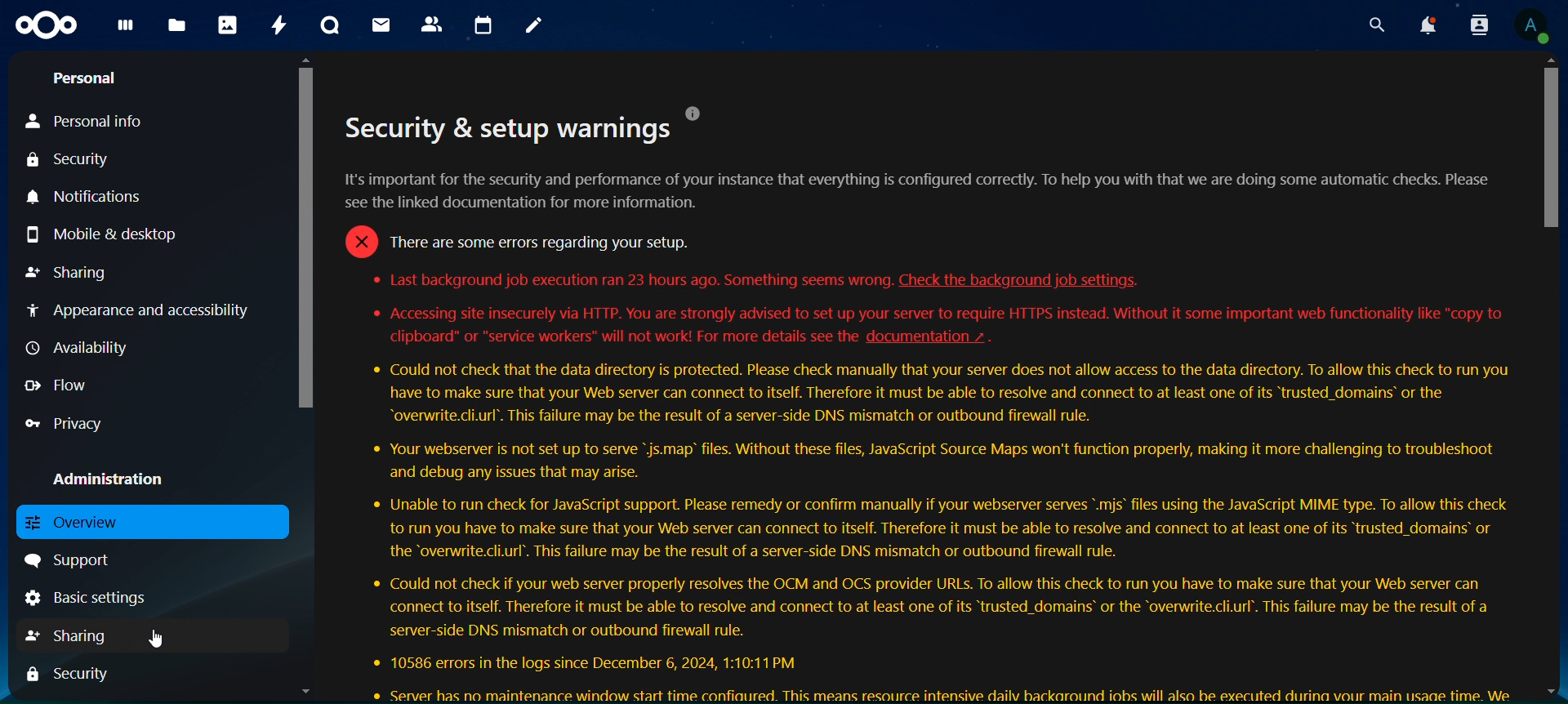 This screenshot has height=704, width=1568. I want to click on appearance and accessibility, so click(140, 311).